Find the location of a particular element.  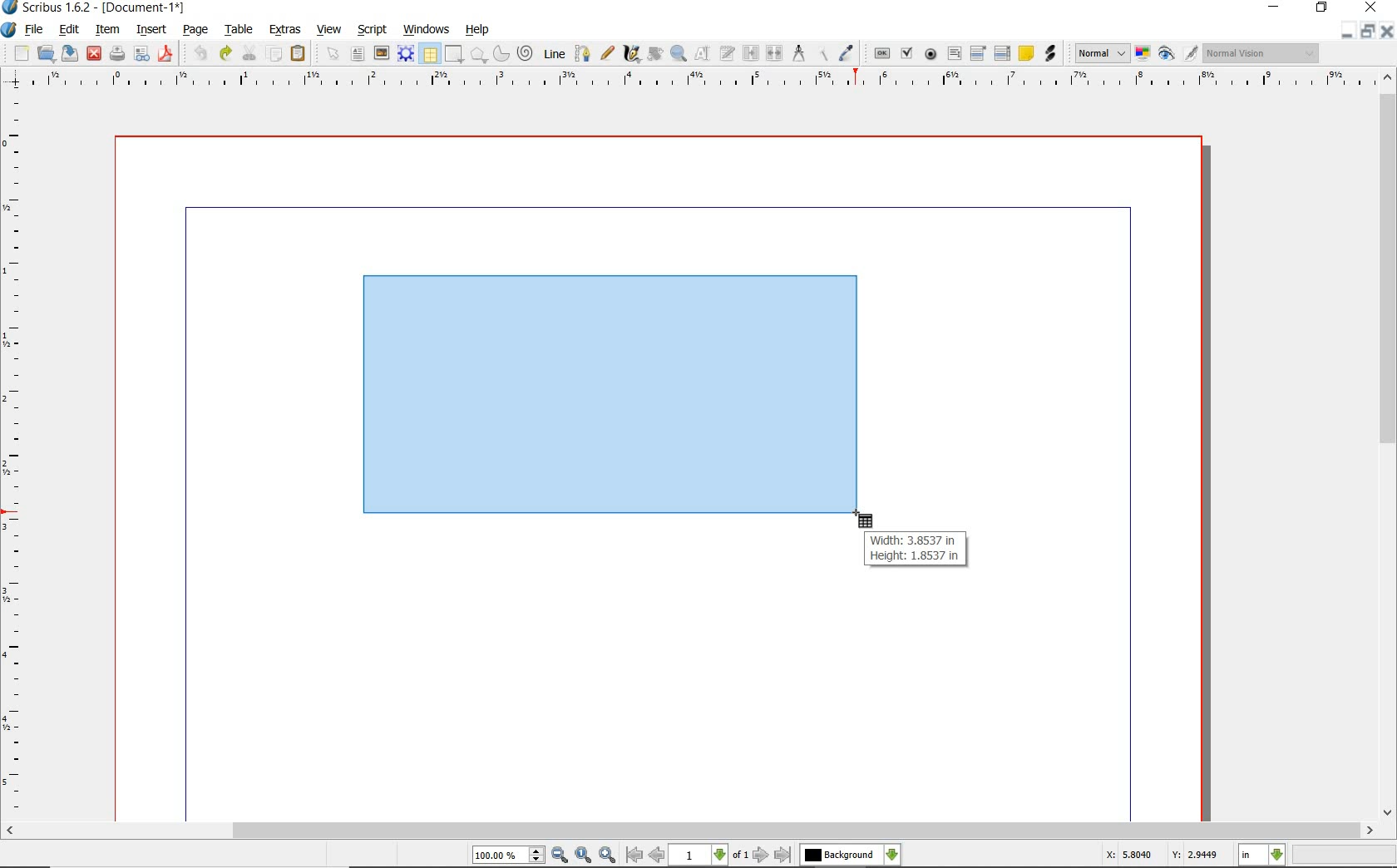

visual appearance of the display is located at coordinates (1259, 53).